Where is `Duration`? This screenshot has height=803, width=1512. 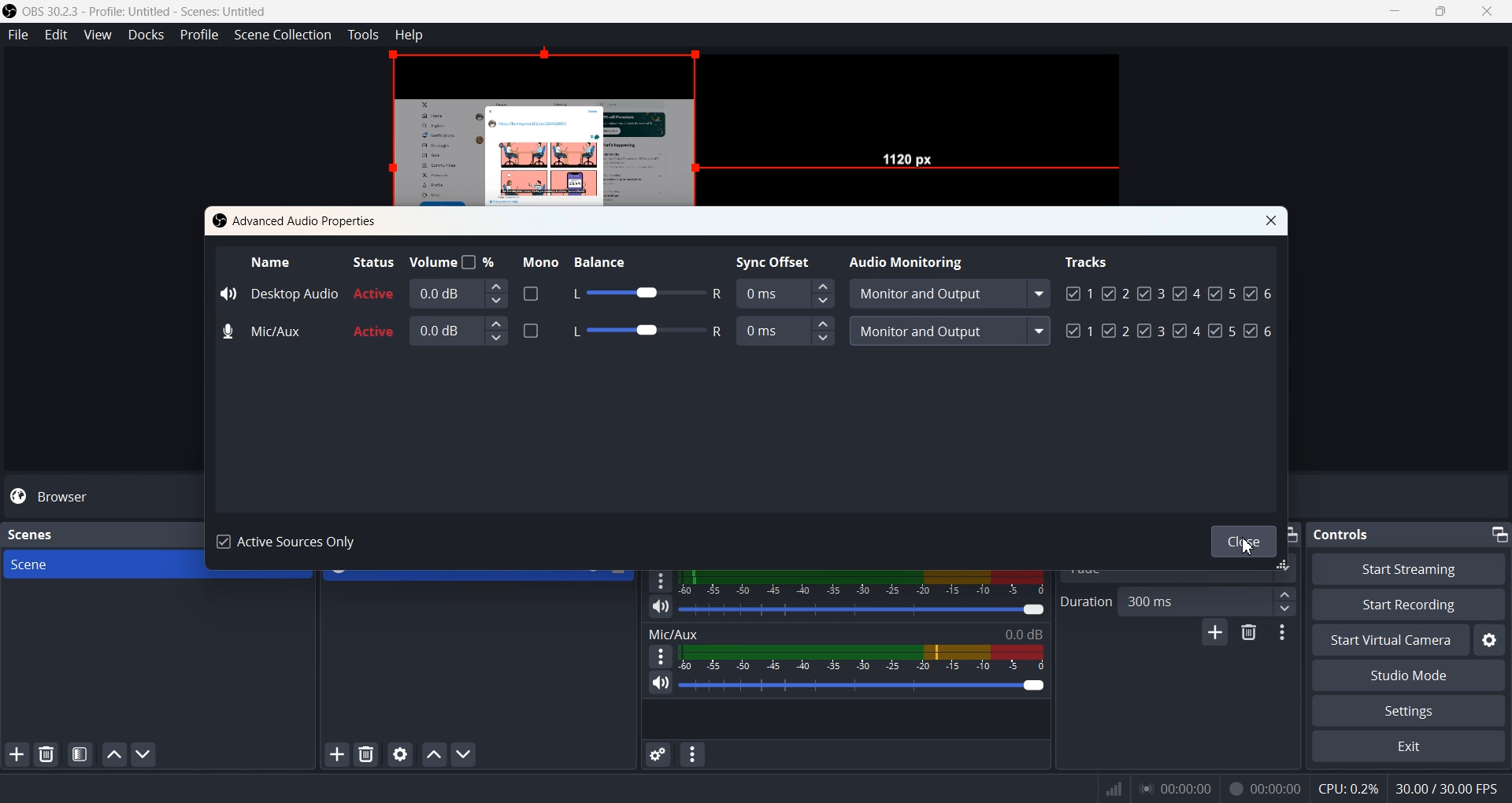 Duration is located at coordinates (1085, 601).